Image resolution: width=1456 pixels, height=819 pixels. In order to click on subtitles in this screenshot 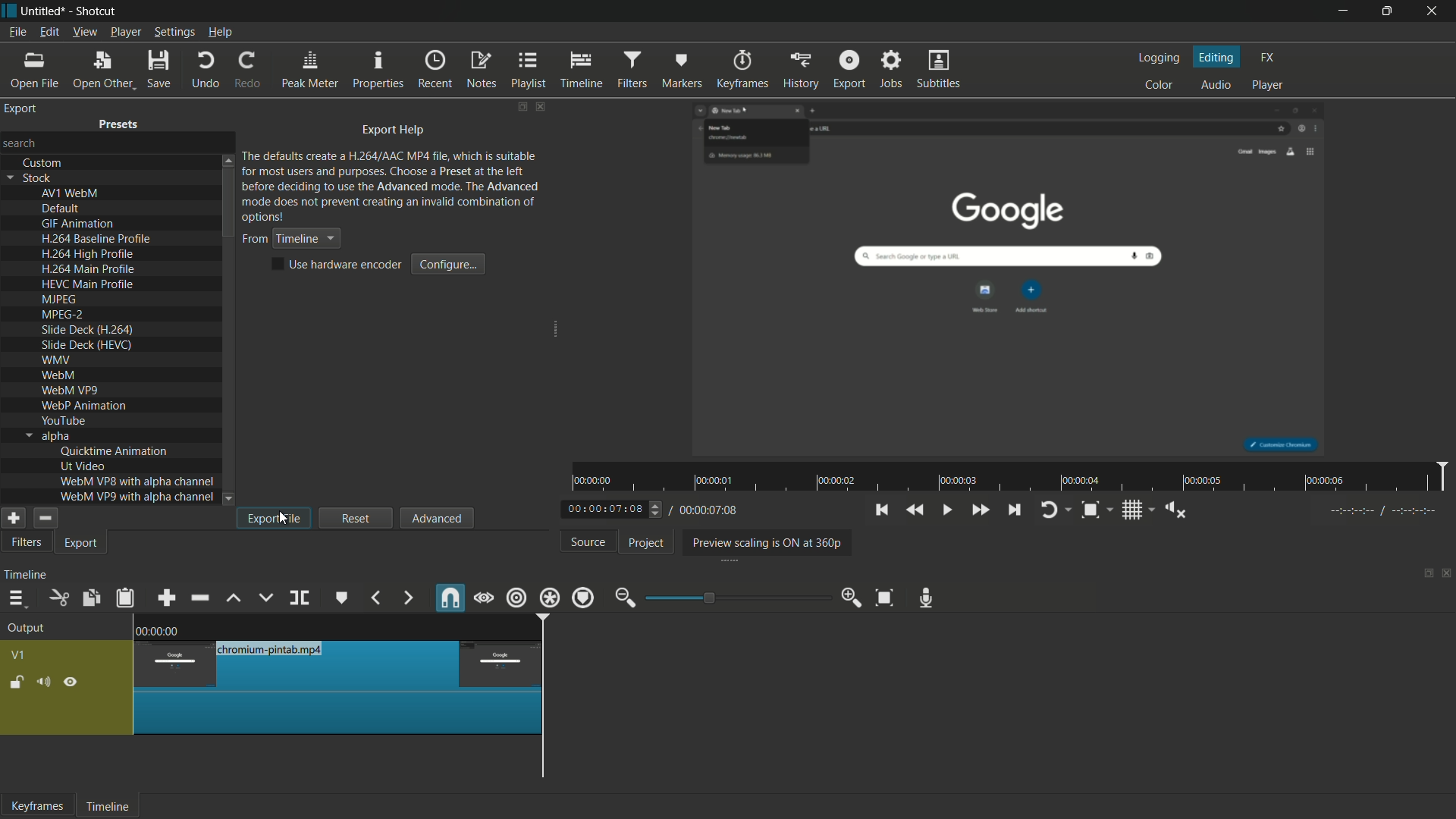, I will do `click(940, 68)`.